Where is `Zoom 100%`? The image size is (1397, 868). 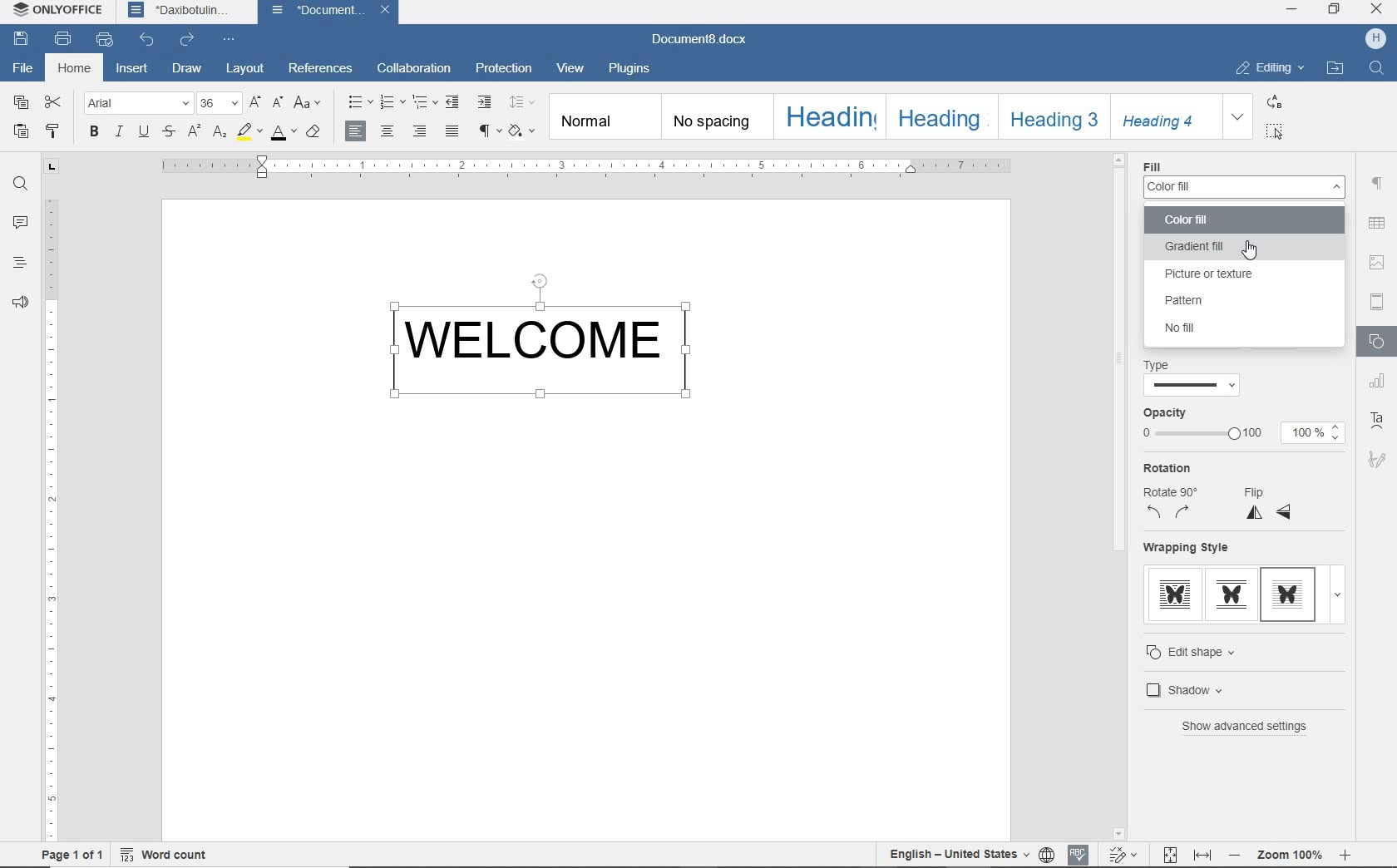
Zoom 100% is located at coordinates (1291, 855).